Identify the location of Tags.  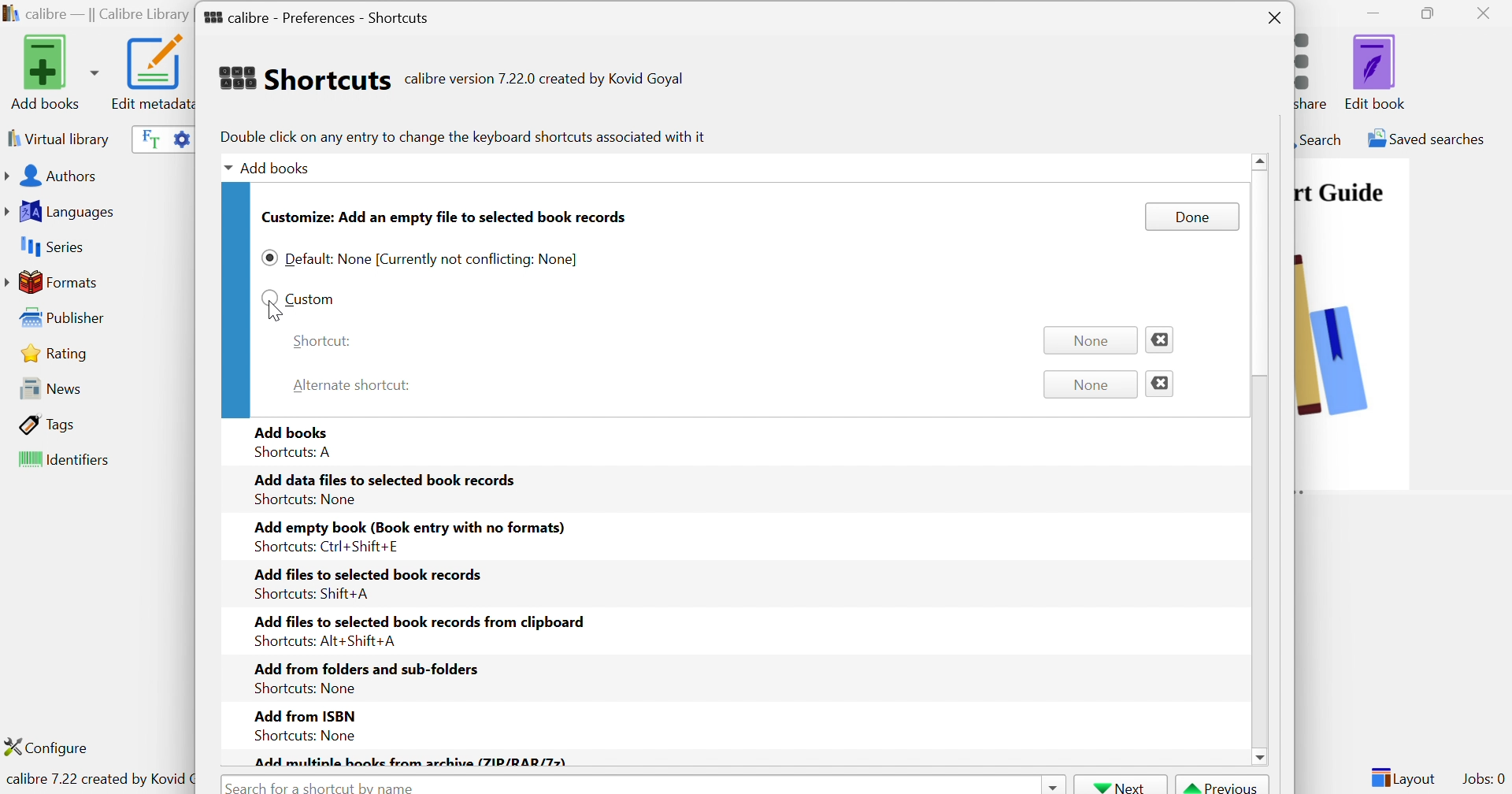
(48, 424).